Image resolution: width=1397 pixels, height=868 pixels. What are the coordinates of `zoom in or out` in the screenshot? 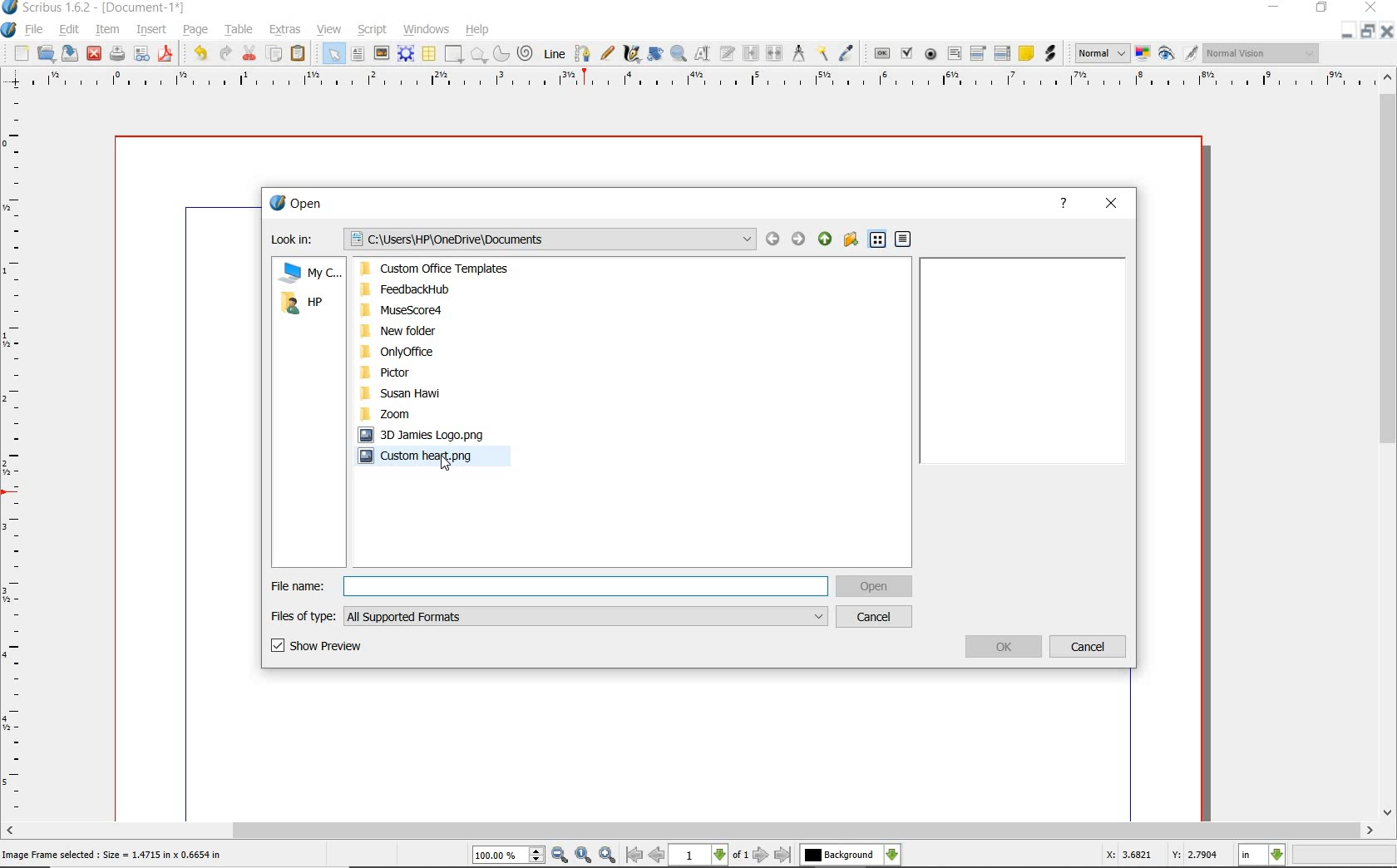 It's located at (678, 54).